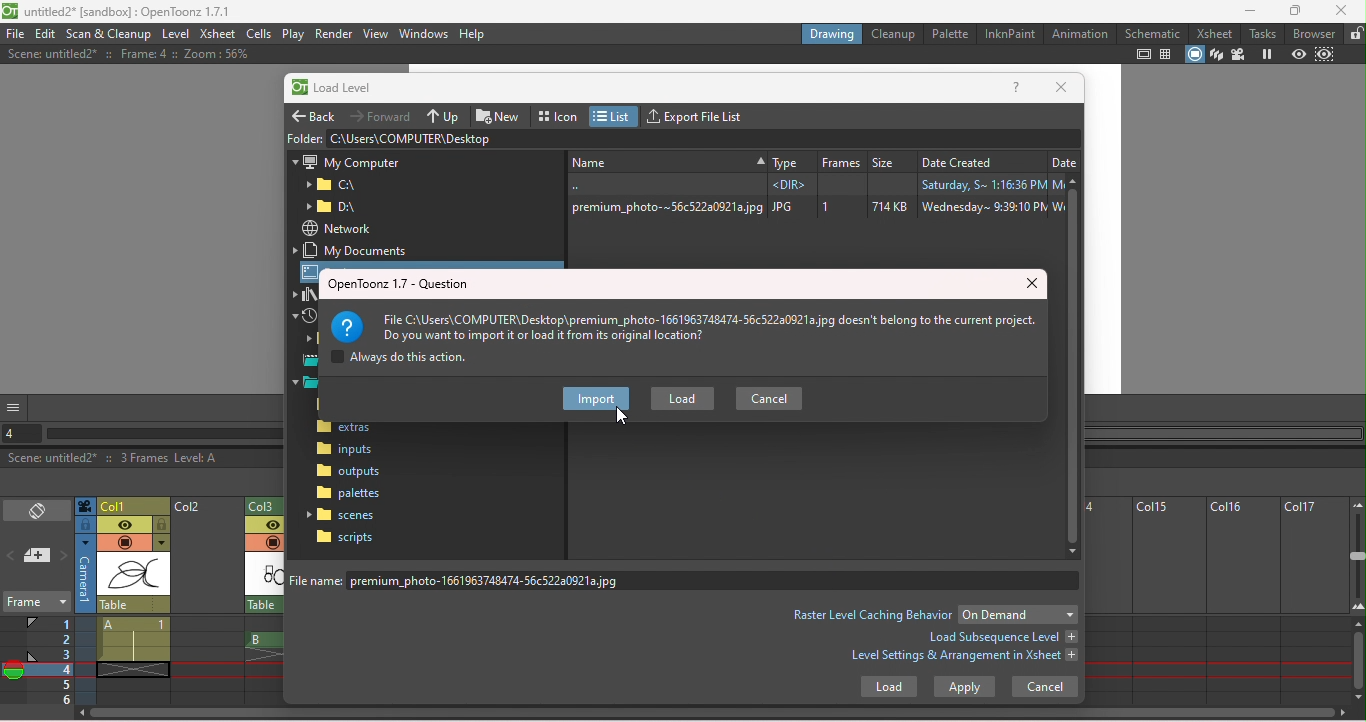 The image size is (1366, 722). What do you see at coordinates (1266, 55) in the screenshot?
I see `Freeze` at bounding box center [1266, 55].